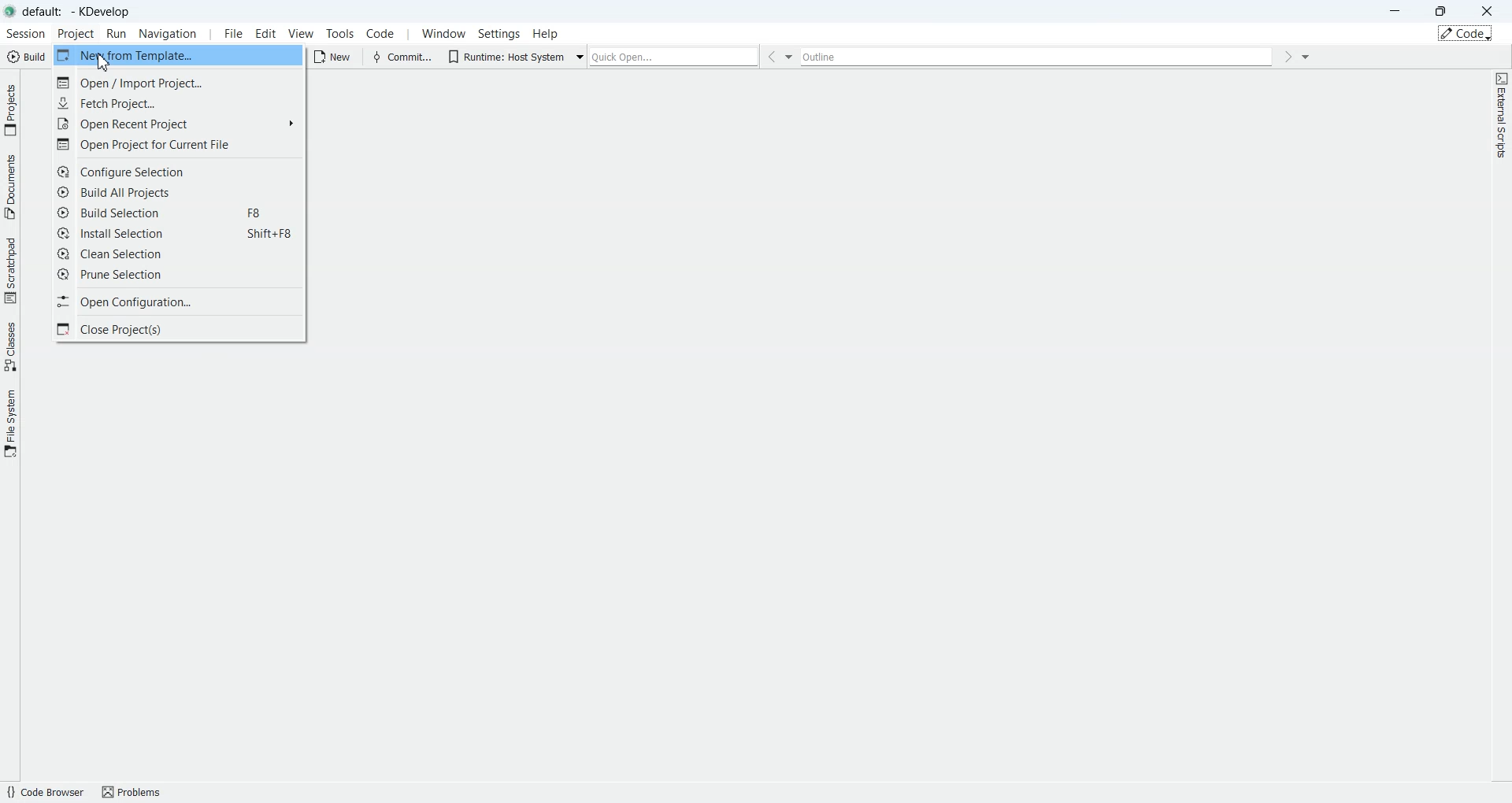 This screenshot has width=1512, height=803. I want to click on Open Configuration, so click(179, 302).